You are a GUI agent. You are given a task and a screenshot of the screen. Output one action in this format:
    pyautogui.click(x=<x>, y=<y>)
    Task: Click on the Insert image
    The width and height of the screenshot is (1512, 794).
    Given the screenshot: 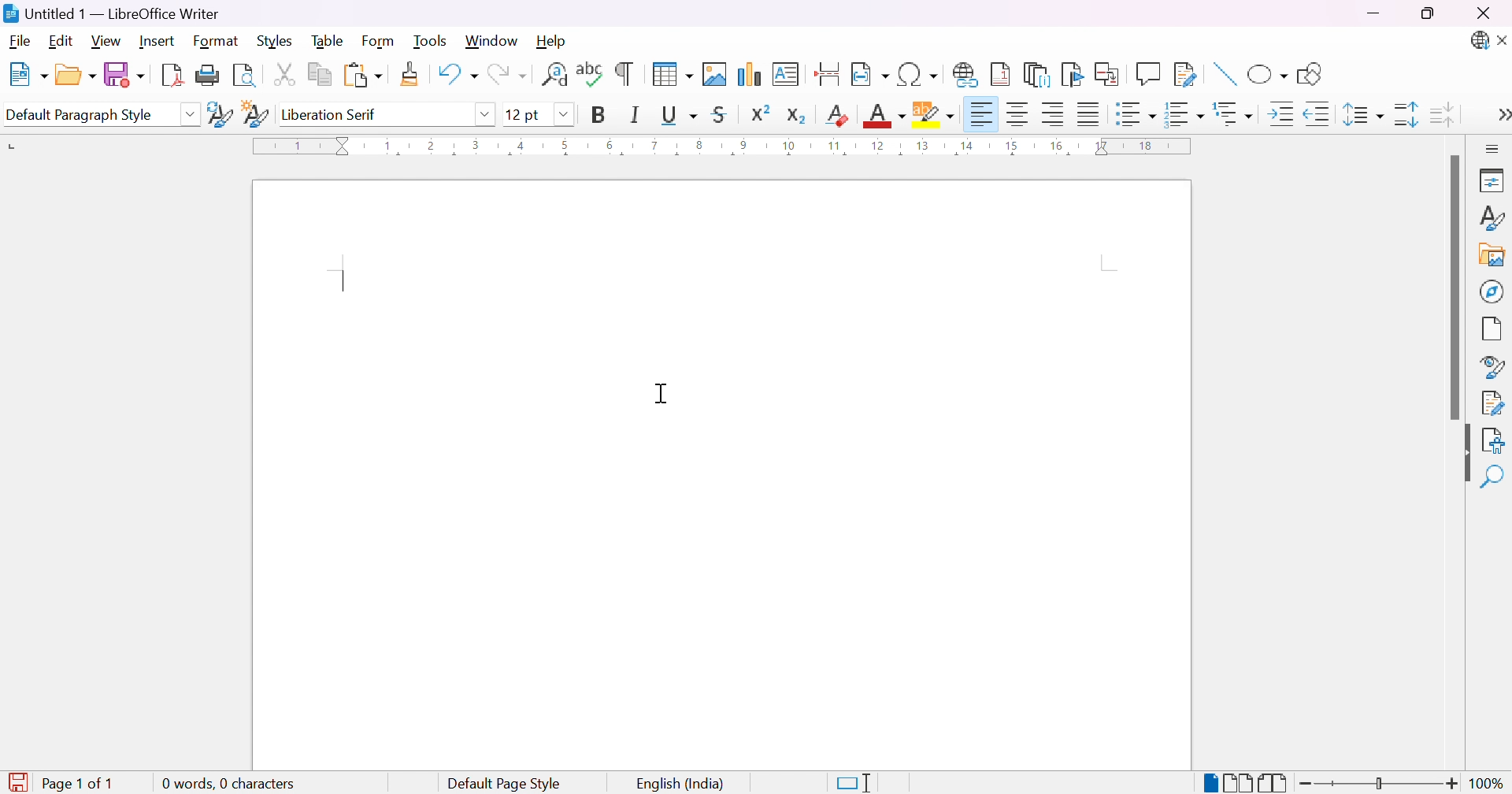 What is the action you would take?
    pyautogui.click(x=716, y=74)
    